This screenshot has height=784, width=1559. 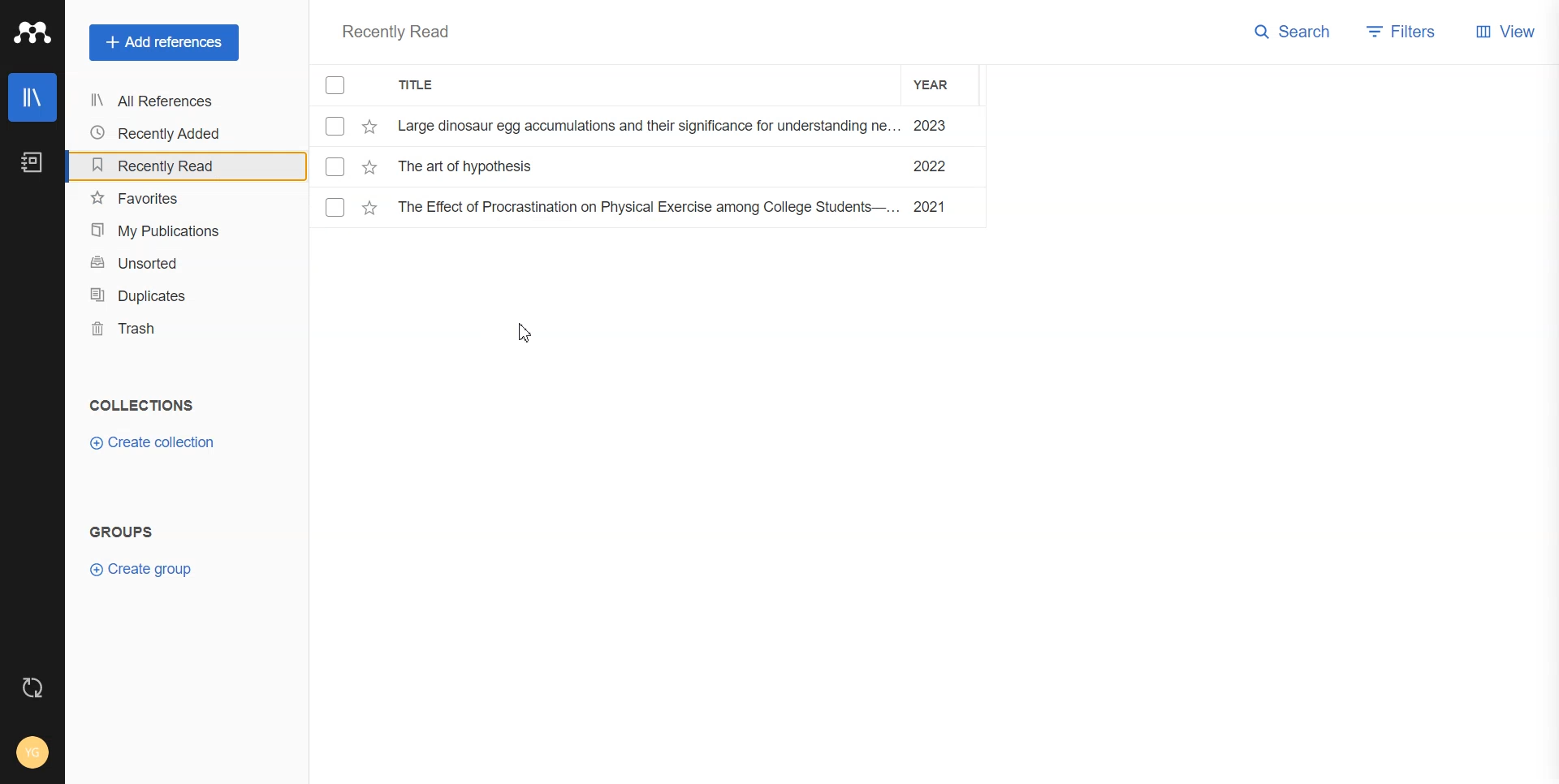 I want to click on Title, so click(x=434, y=88).